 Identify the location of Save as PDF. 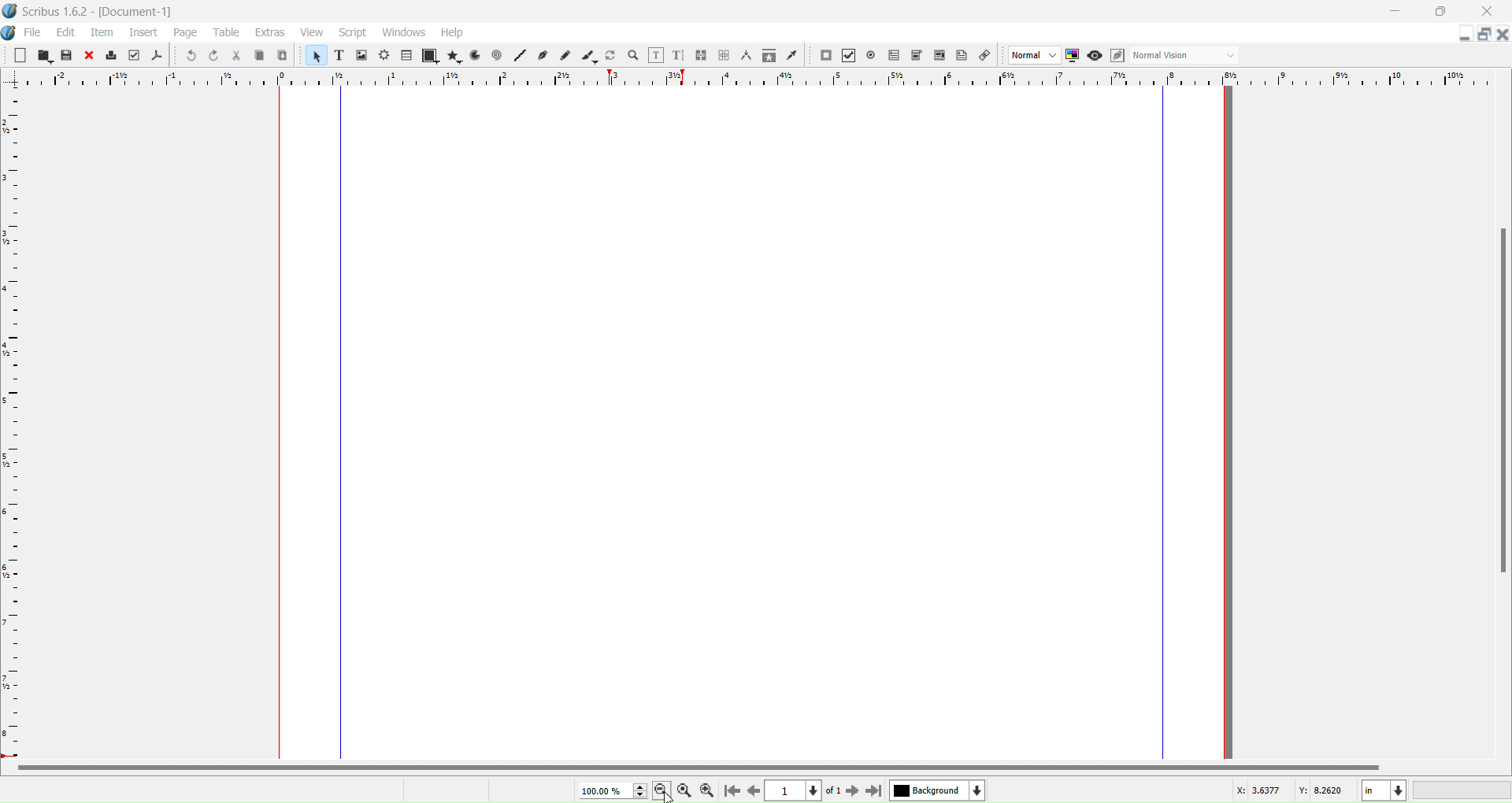
(157, 55).